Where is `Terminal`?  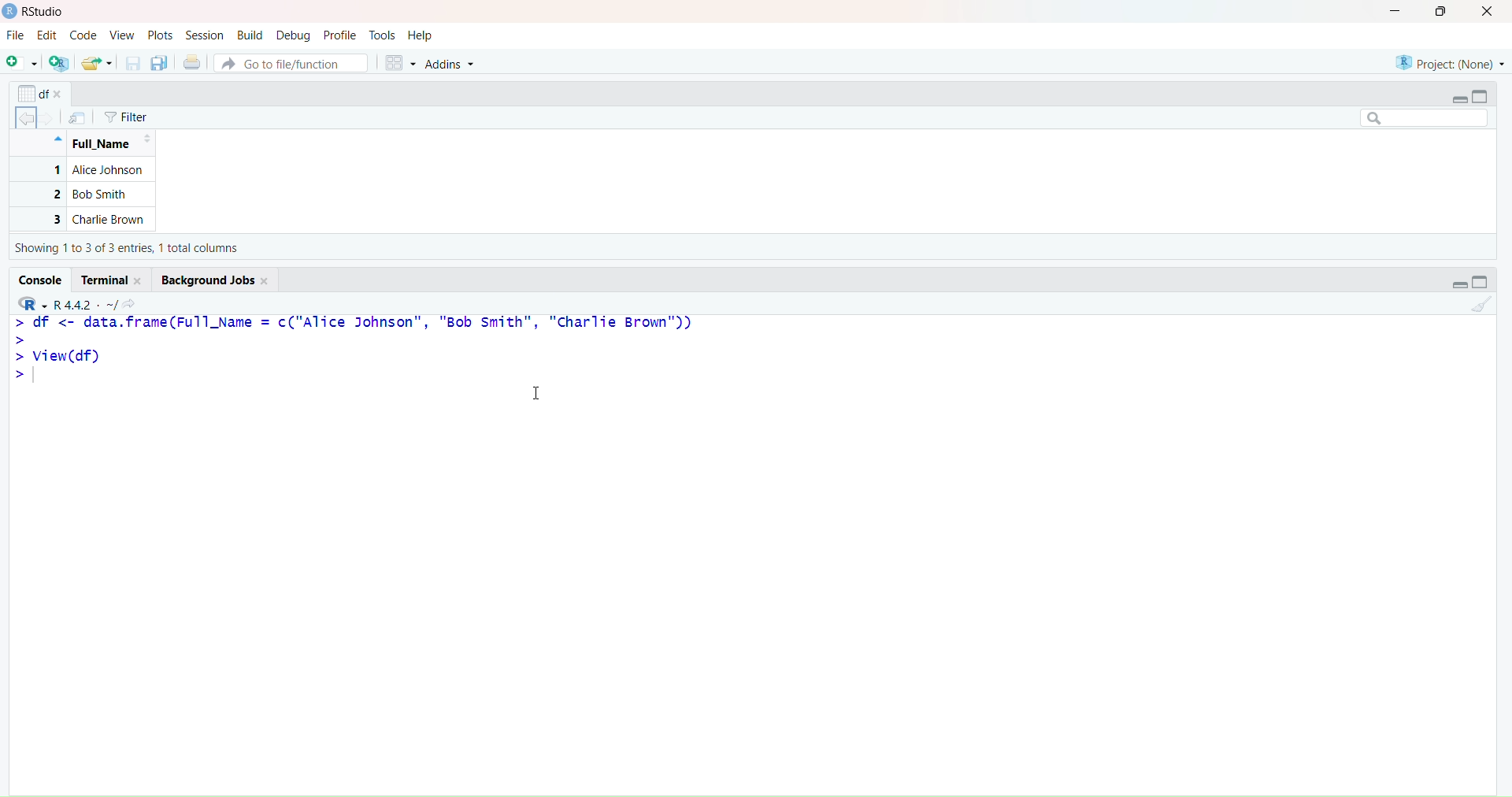
Terminal is located at coordinates (116, 277).